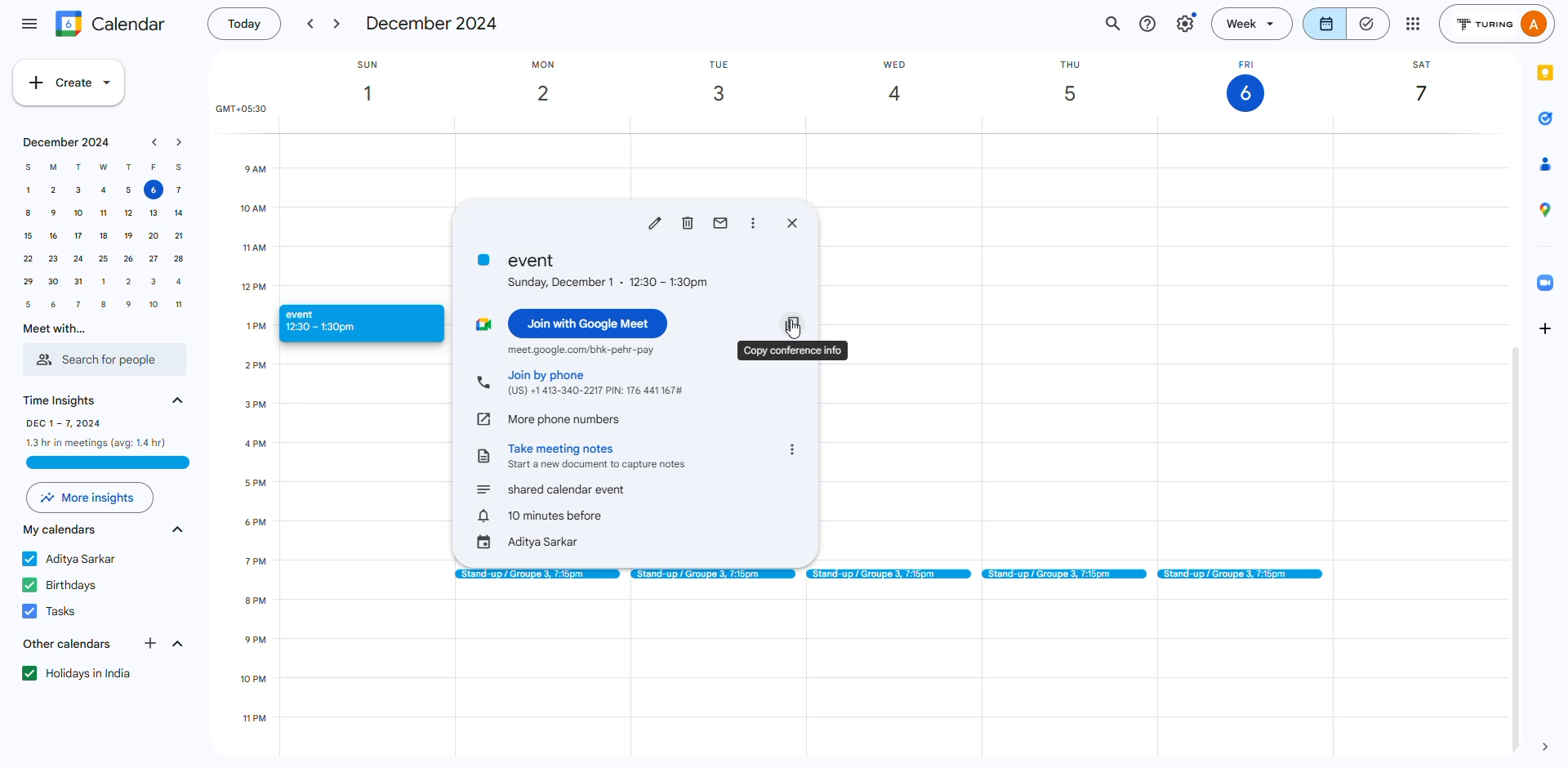  Describe the element at coordinates (1539, 164) in the screenshot. I see `app` at that location.